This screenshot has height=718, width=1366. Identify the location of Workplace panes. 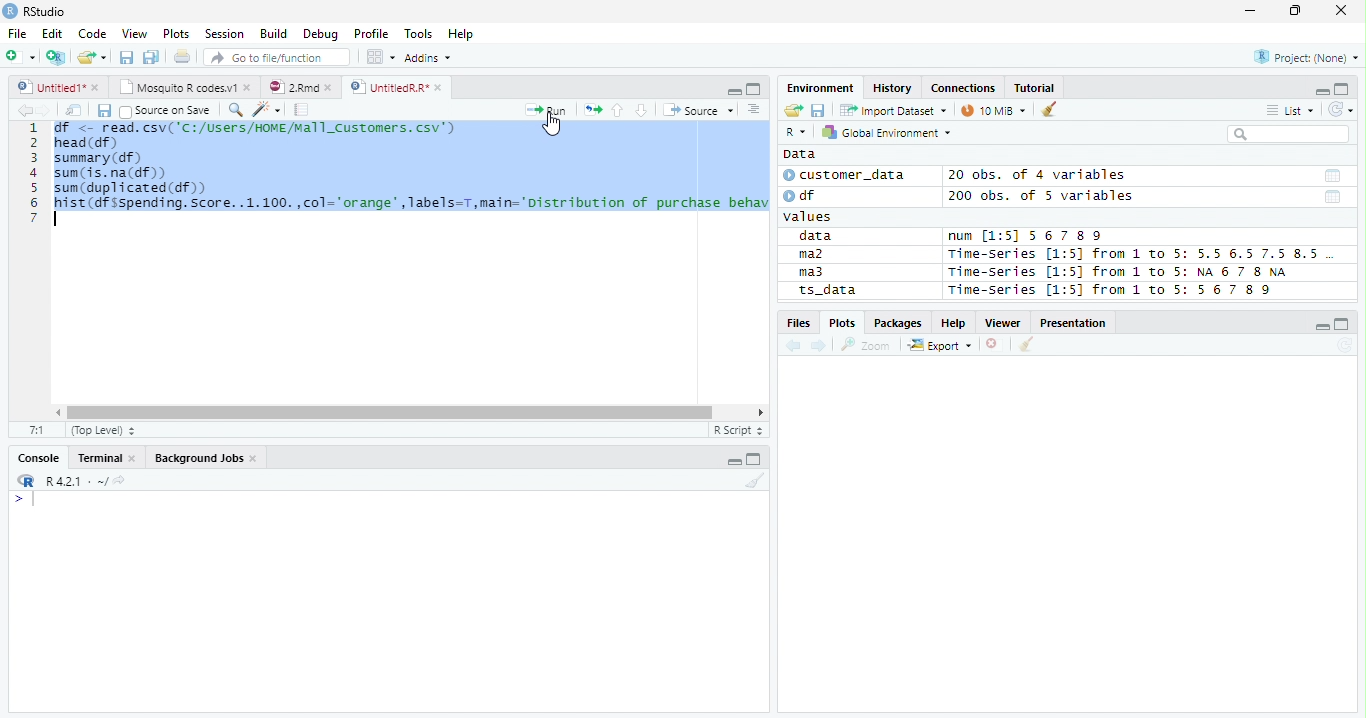
(380, 57).